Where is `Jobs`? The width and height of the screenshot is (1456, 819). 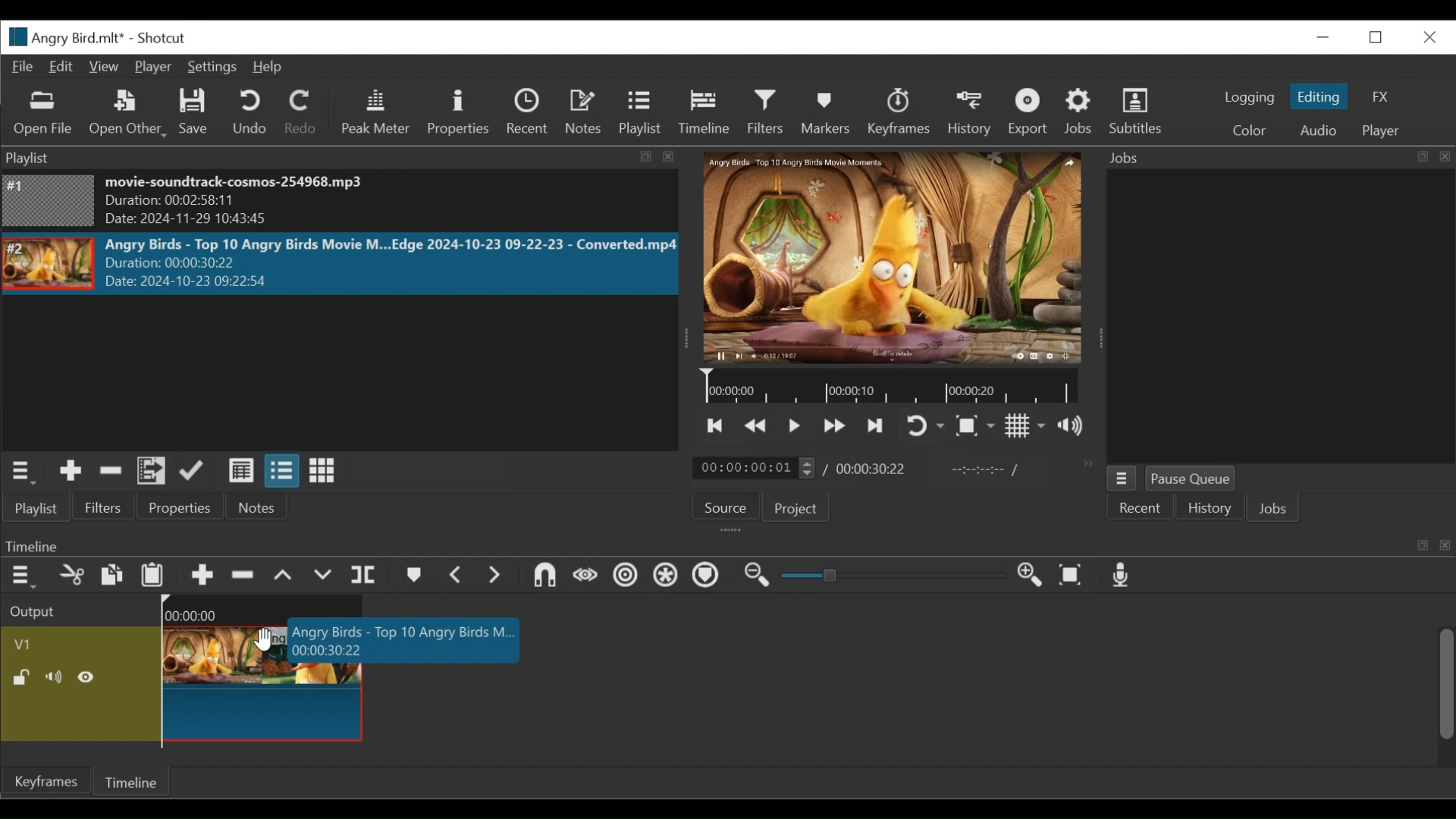
Jobs is located at coordinates (1080, 114).